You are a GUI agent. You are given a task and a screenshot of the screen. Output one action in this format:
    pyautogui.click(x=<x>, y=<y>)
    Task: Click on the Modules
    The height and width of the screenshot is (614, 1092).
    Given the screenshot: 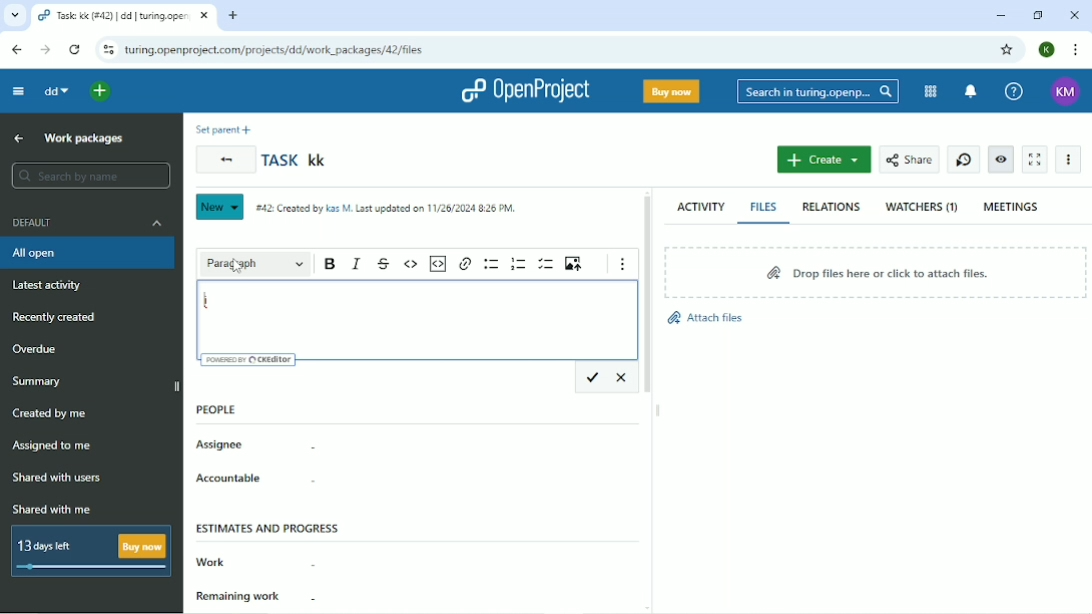 What is the action you would take?
    pyautogui.click(x=930, y=91)
    